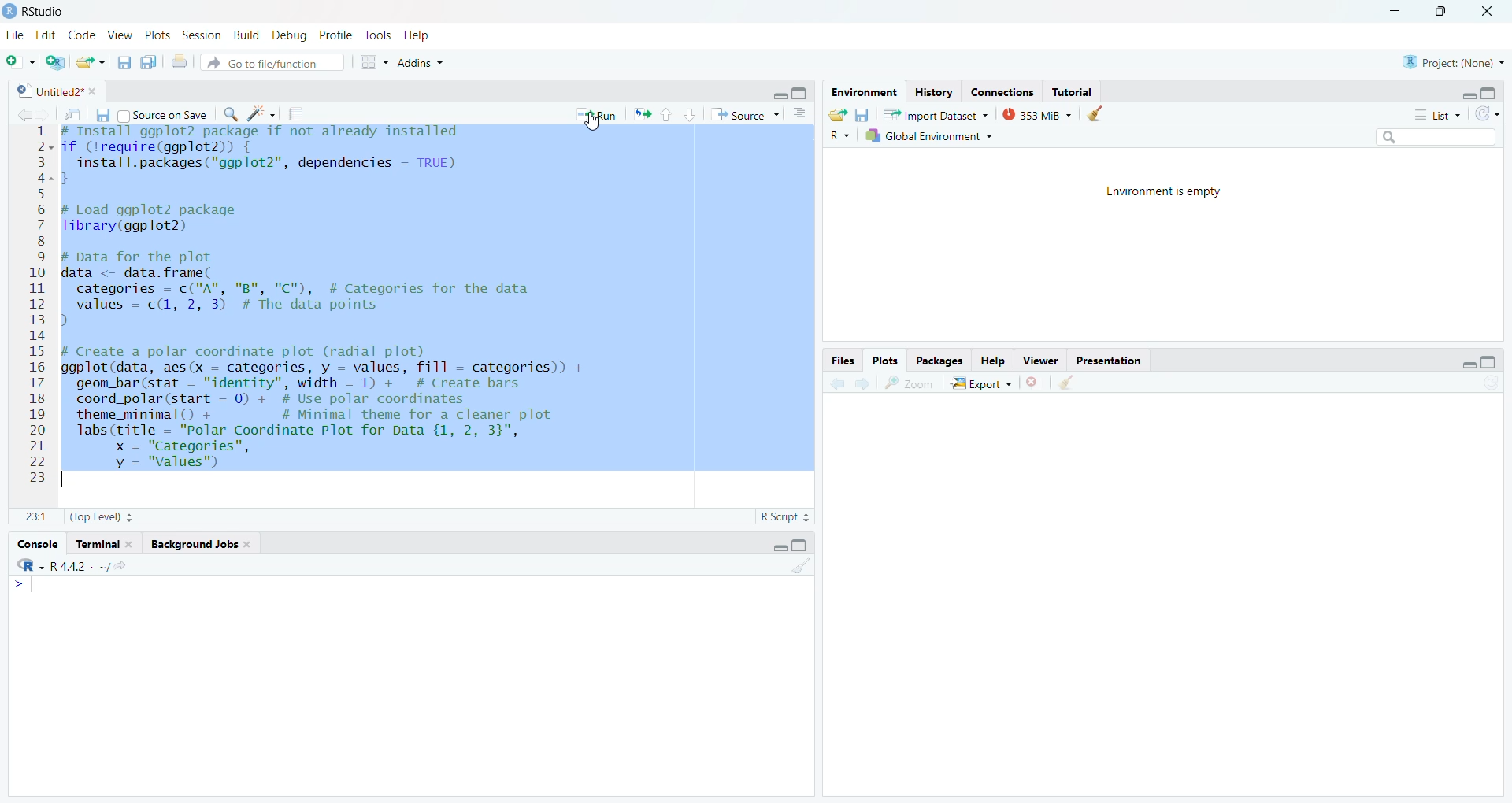  What do you see at coordinates (1488, 114) in the screenshot?
I see `refresh` at bounding box center [1488, 114].